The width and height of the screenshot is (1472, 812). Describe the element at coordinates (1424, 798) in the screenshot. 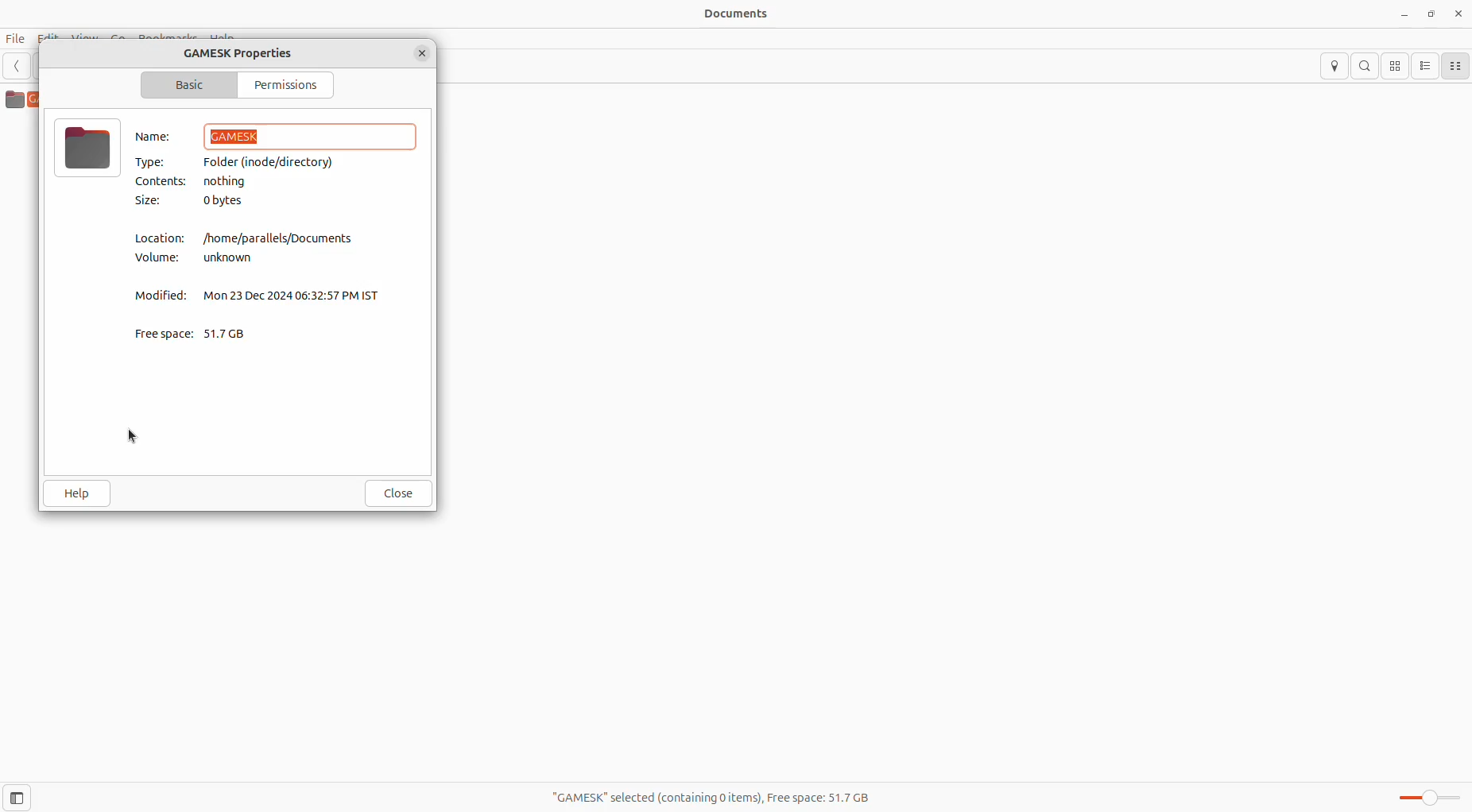

I see `Zoom` at that location.